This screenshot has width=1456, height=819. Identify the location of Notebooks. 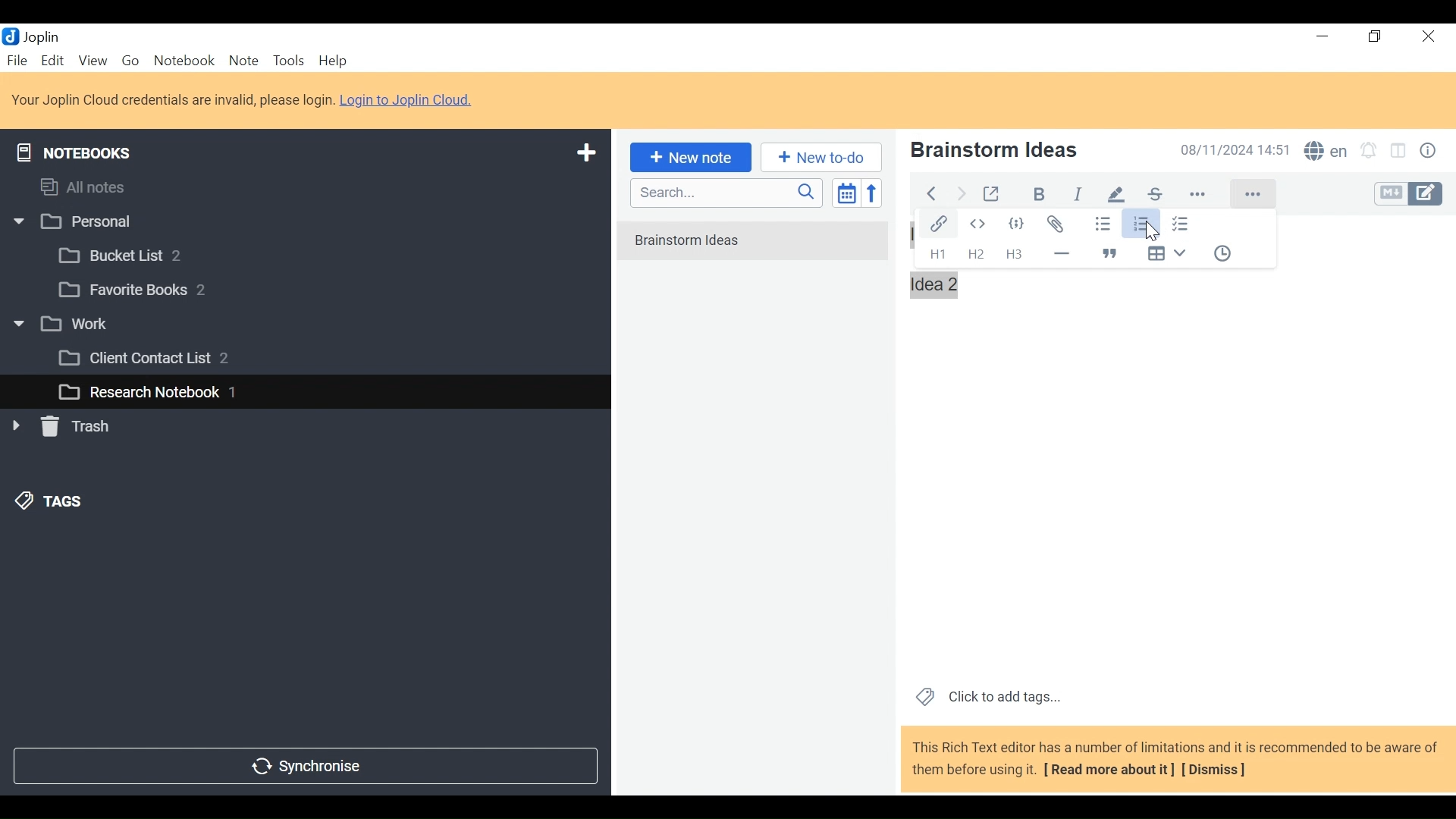
(85, 149).